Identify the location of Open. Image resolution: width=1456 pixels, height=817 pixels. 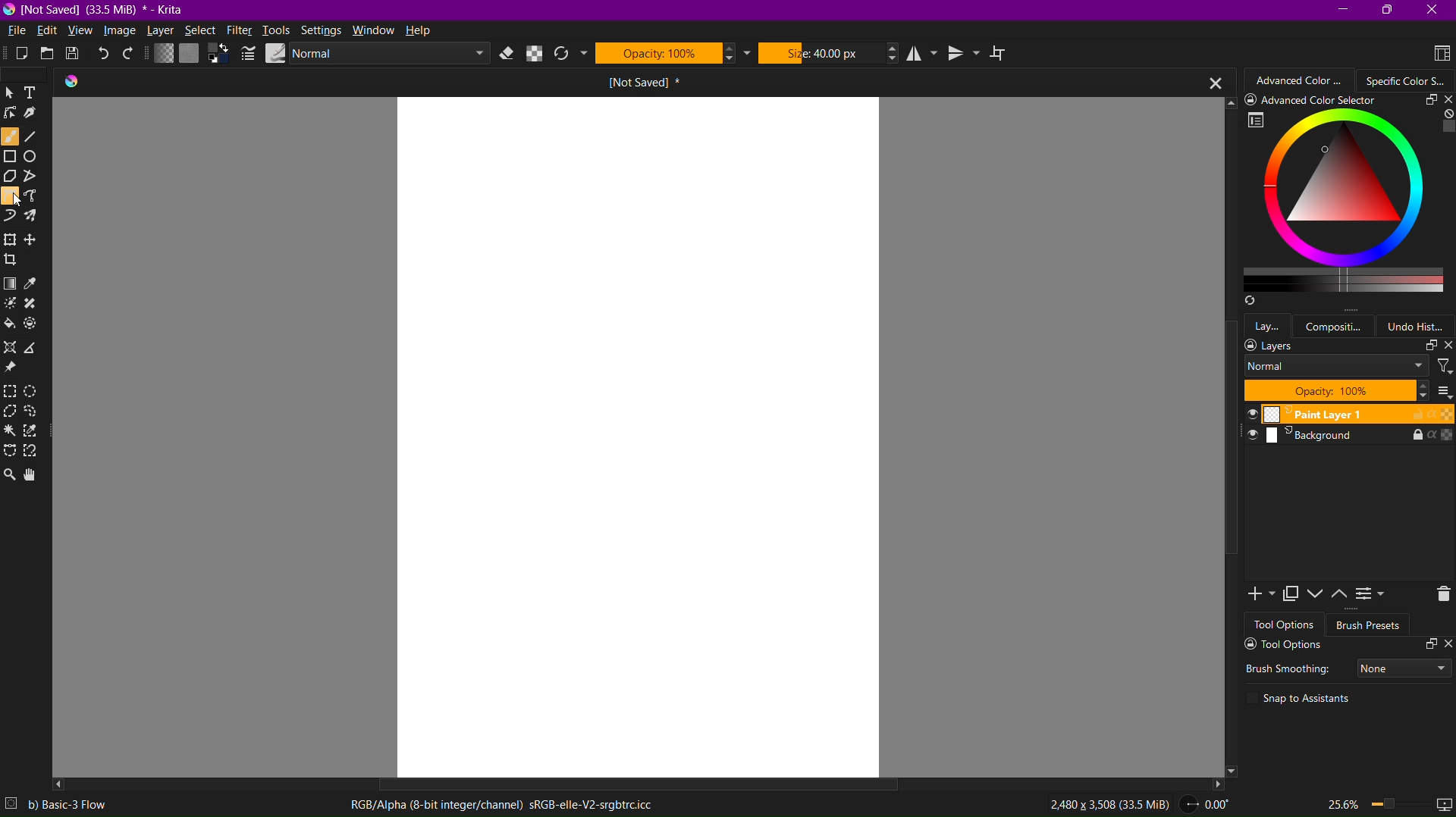
(45, 55).